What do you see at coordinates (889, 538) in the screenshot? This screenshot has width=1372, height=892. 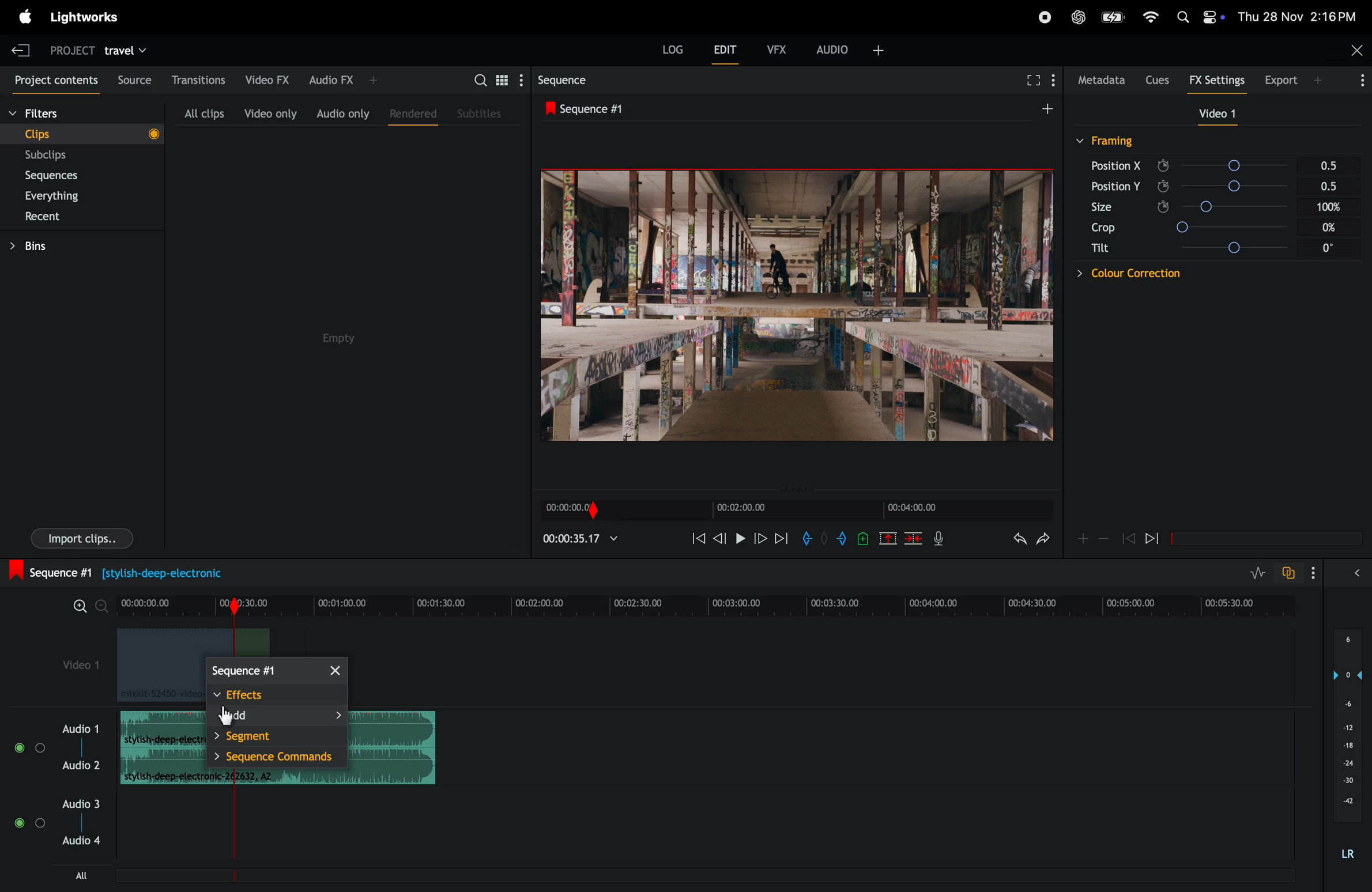 I see `remove marked section` at bounding box center [889, 538].